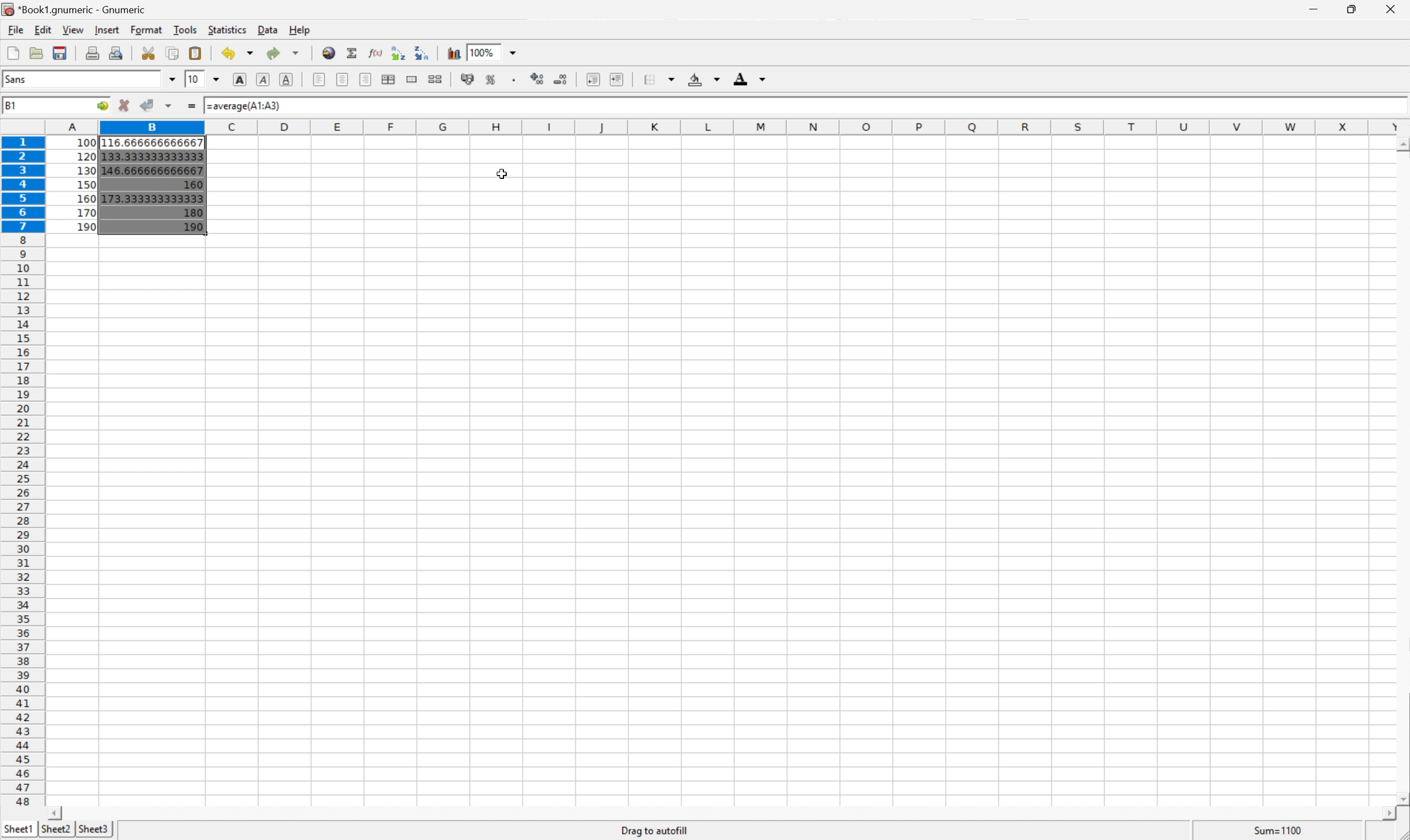  I want to click on File, so click(15, 30).